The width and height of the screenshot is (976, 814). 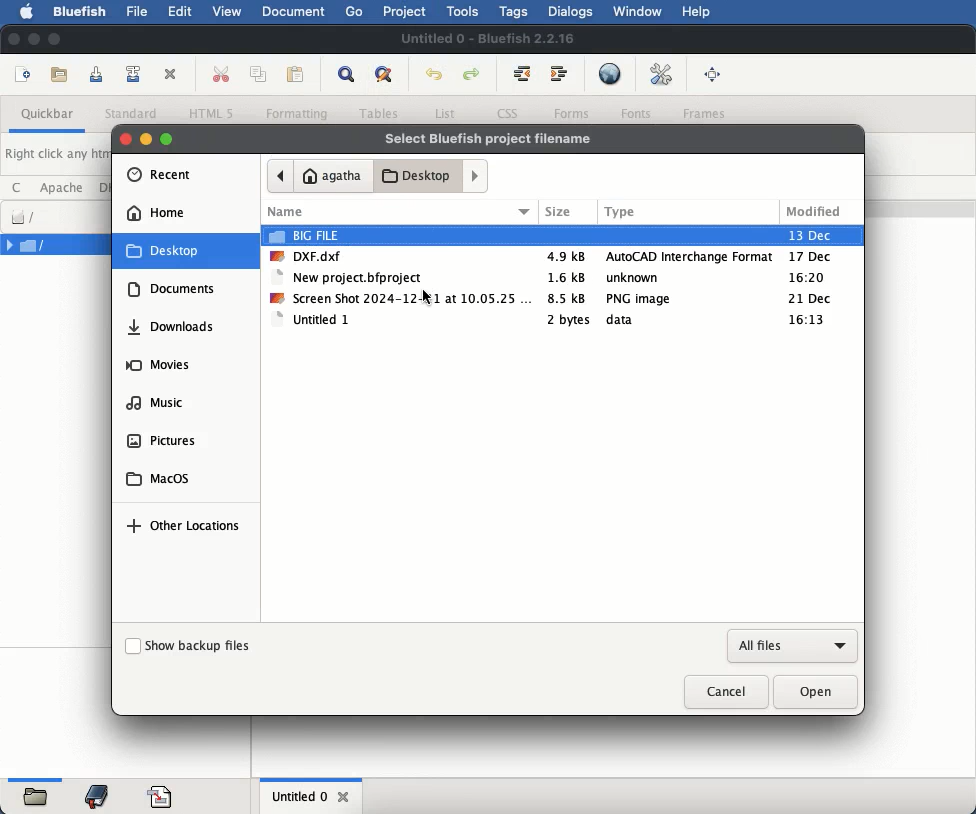 I want to click on Untitled 0 - Bluefish 2.2.0, so click(x=487, y=37).